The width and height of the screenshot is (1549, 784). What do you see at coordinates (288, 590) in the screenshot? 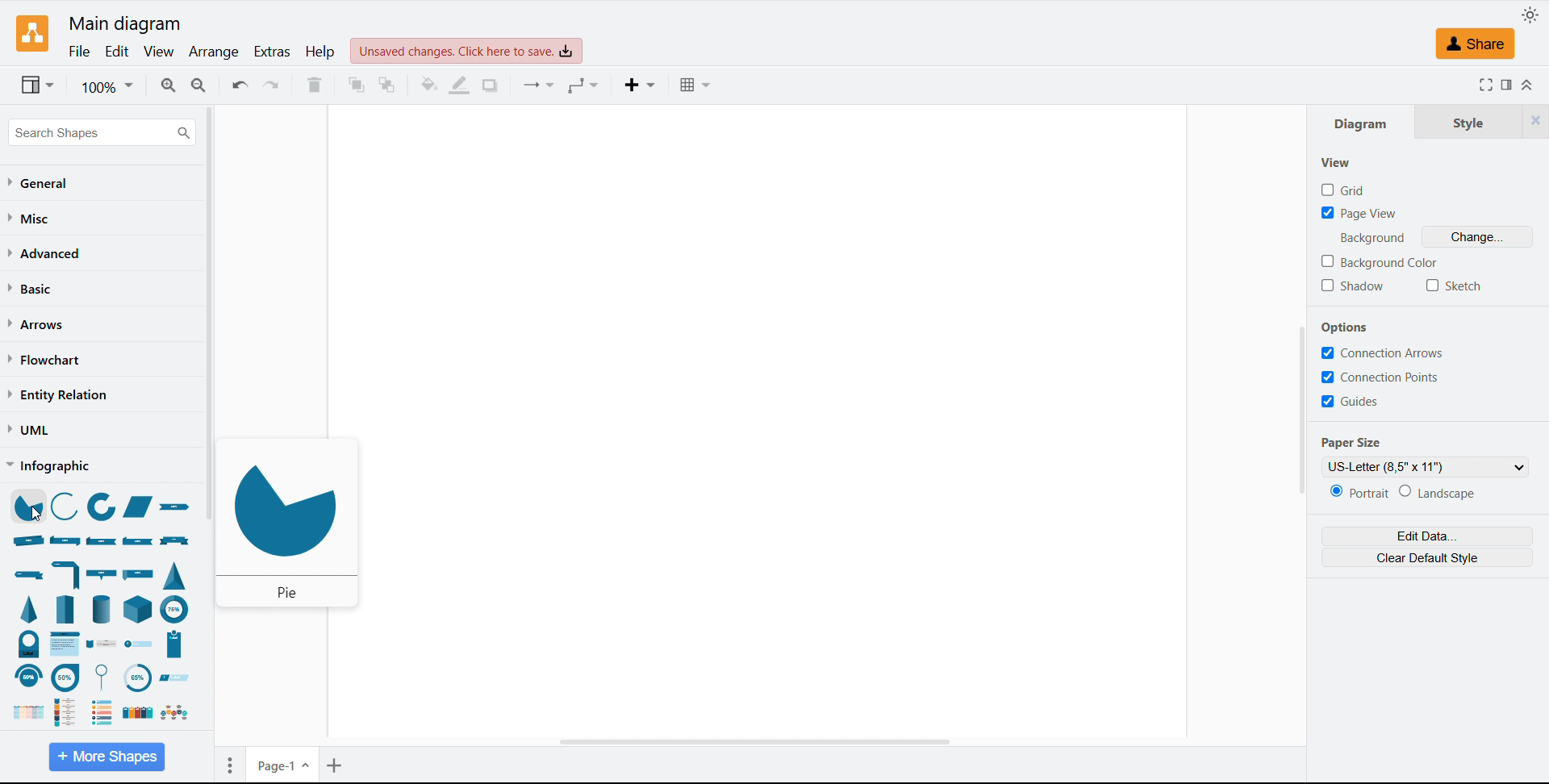
I see `pie` at bounding box center [288, 590].